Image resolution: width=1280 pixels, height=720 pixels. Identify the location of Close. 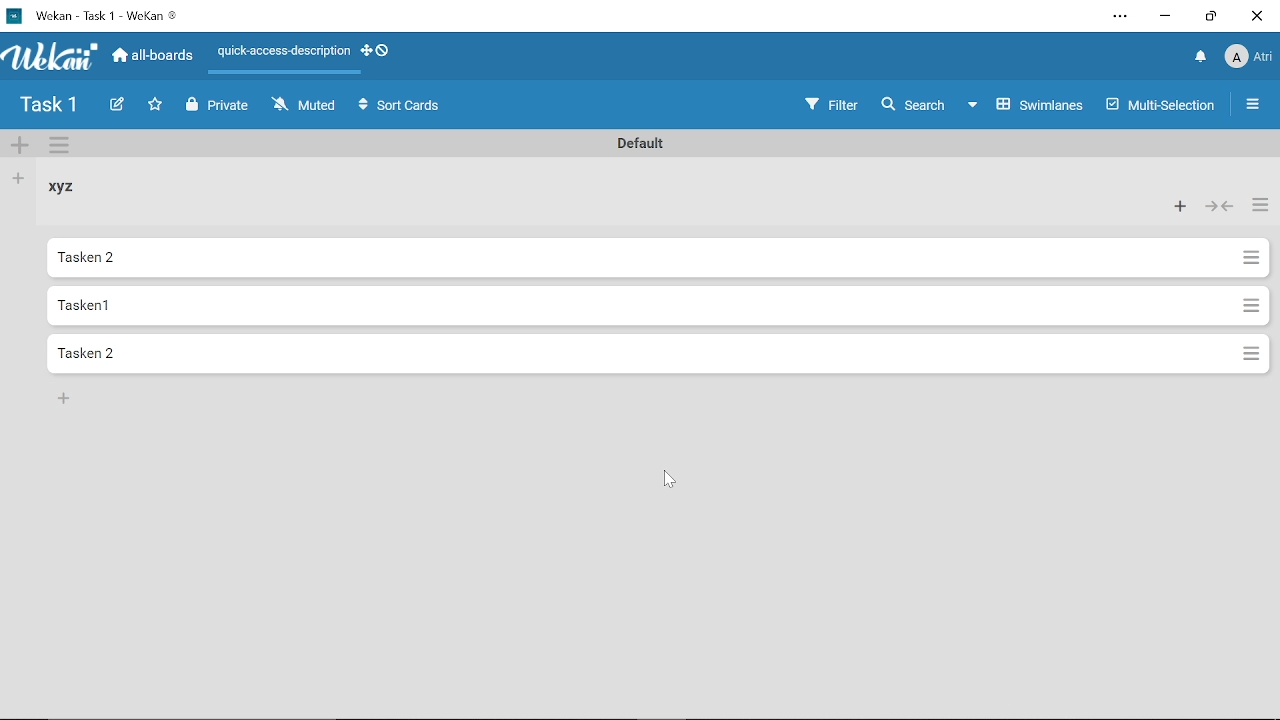
(1258, 16).